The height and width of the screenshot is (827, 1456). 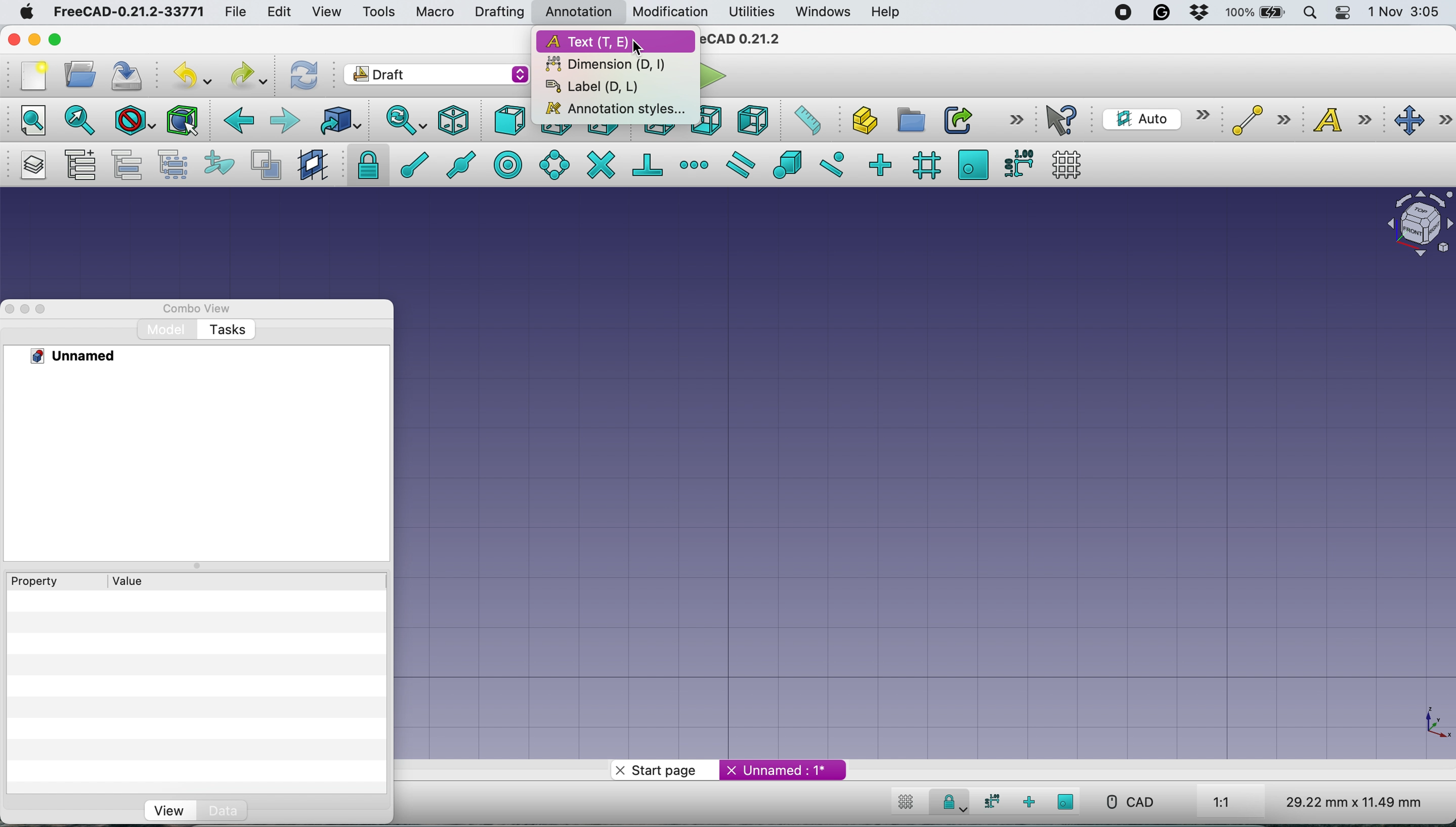 I want to click on isometric, so click(x=454, y=120).